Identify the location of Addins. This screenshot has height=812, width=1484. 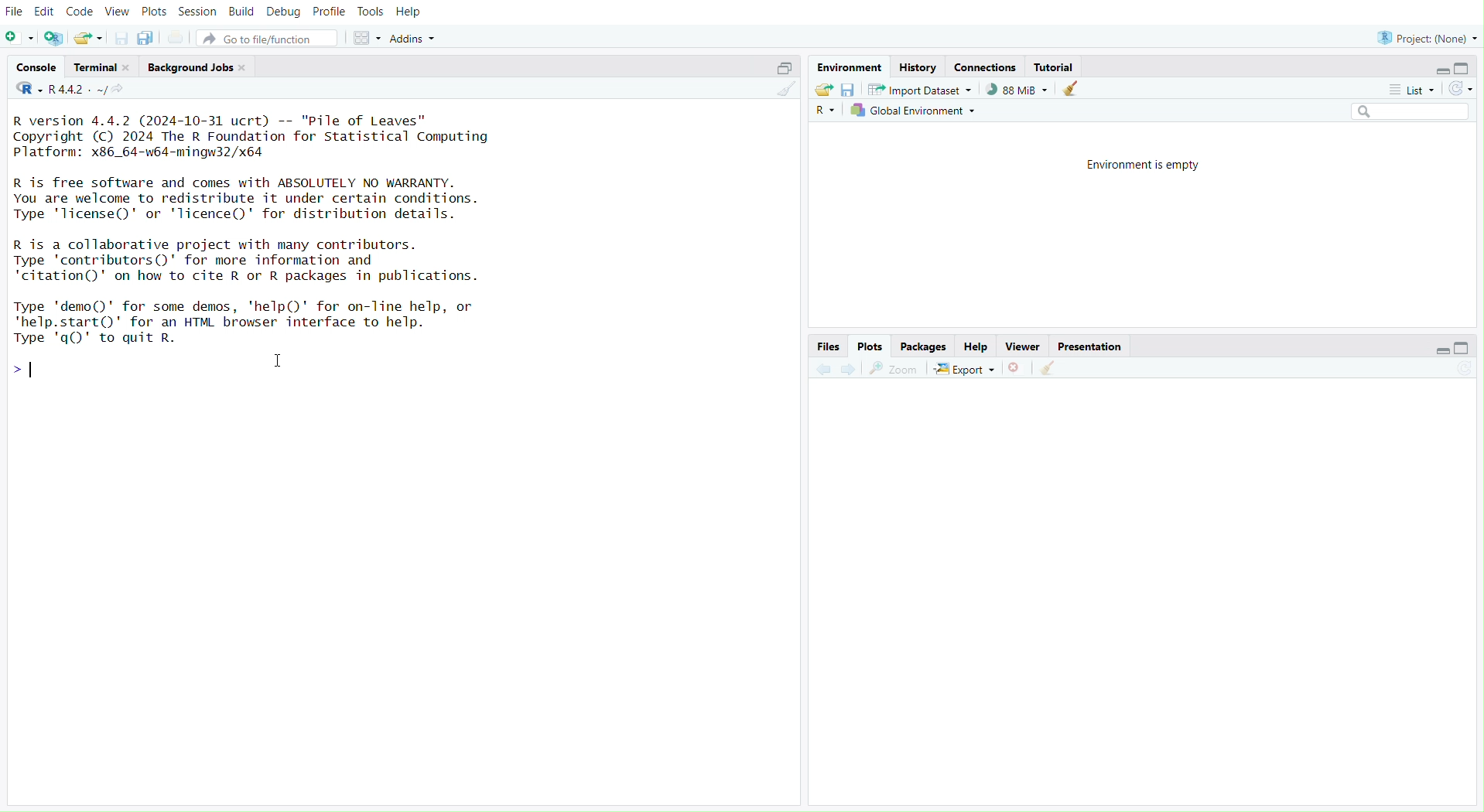
(419, 37).